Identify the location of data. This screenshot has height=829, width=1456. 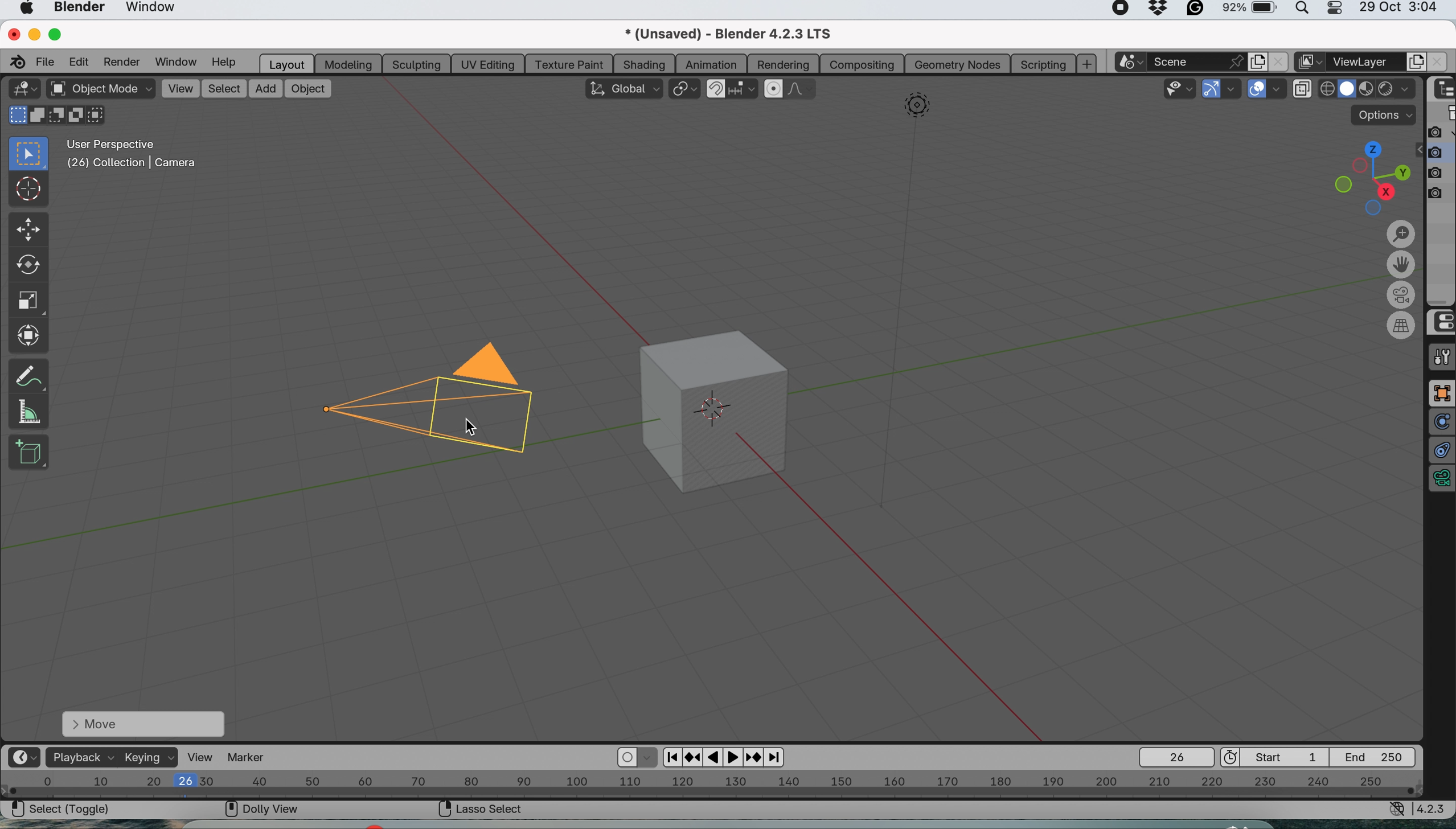
(1441, 481).